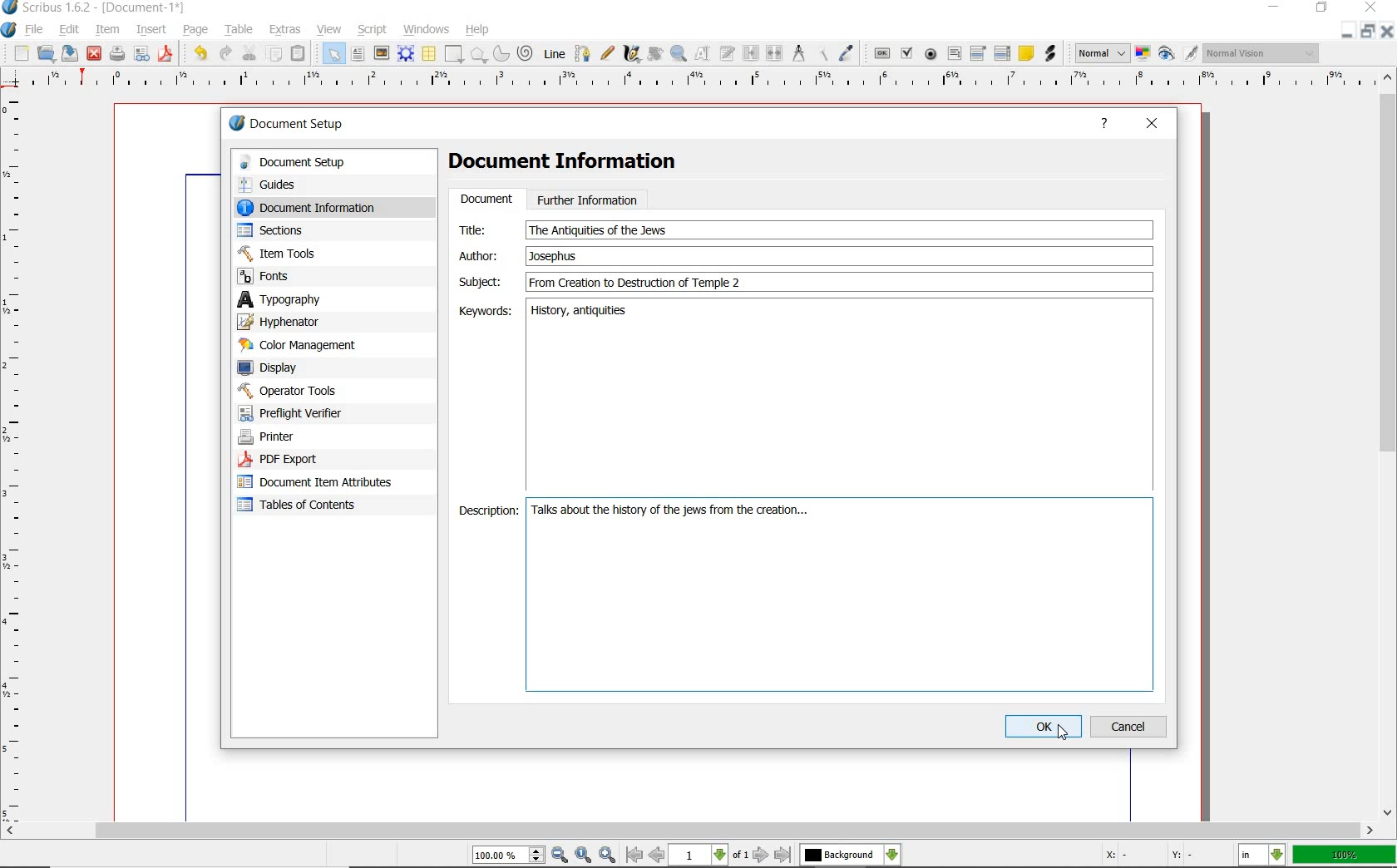  What do you see at coordinates (479, 281) in the screenshot?
I see `subject` at bounding box center [479, 281].